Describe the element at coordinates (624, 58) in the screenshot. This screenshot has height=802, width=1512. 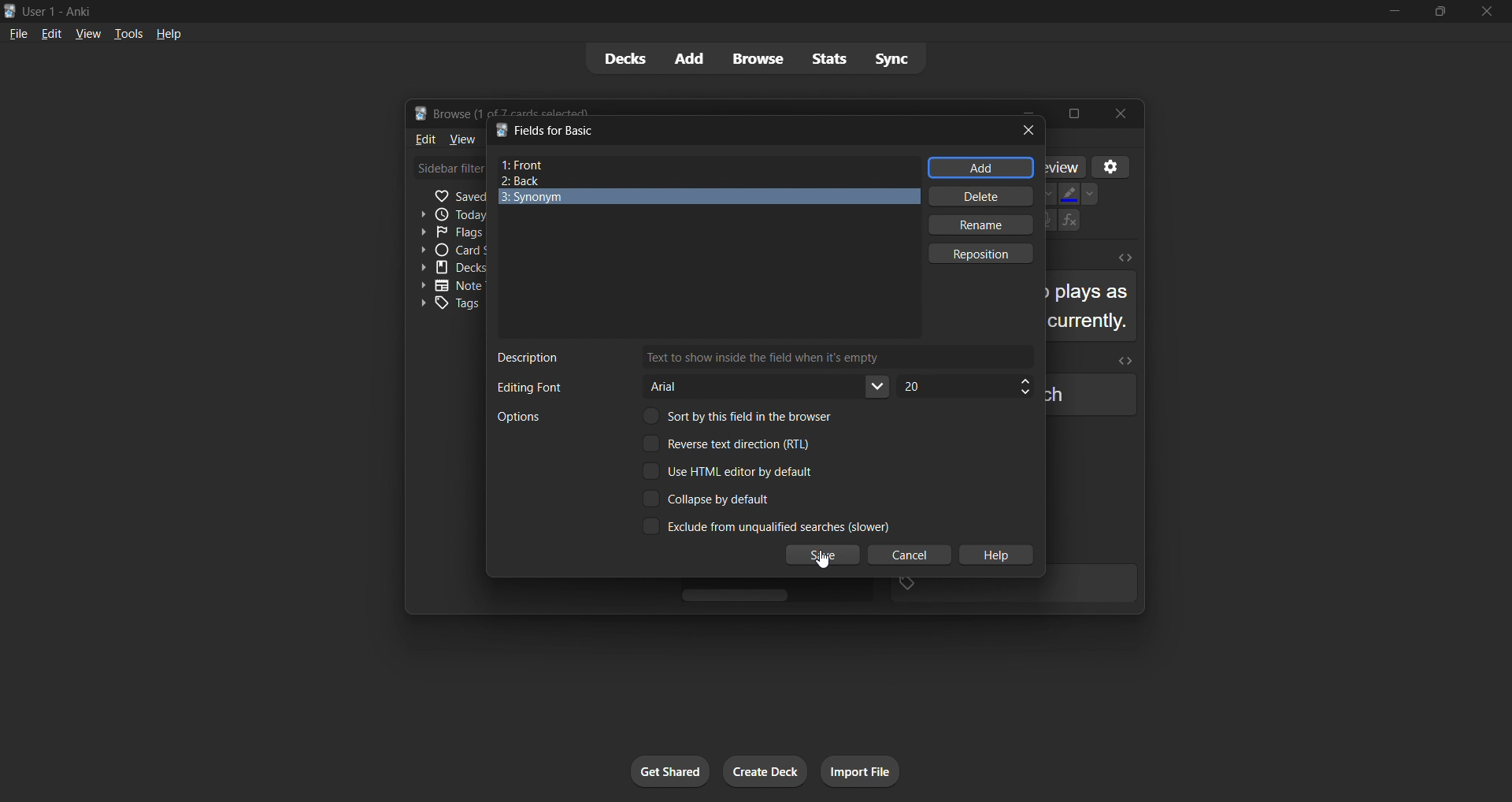
I see `decks` at that location.